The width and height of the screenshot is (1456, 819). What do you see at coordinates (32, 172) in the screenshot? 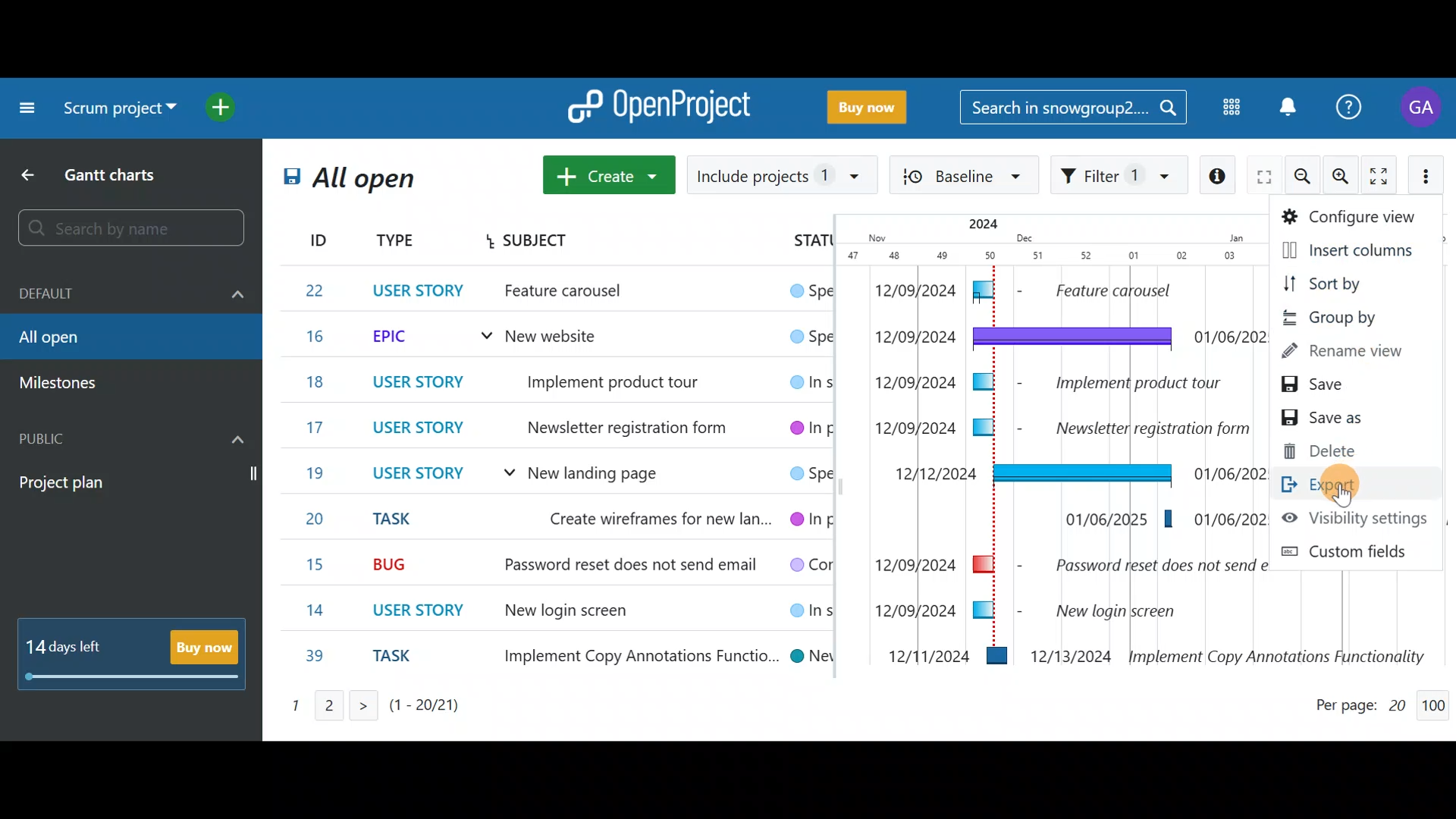
I see `Back` at bounding box center [32, 172].